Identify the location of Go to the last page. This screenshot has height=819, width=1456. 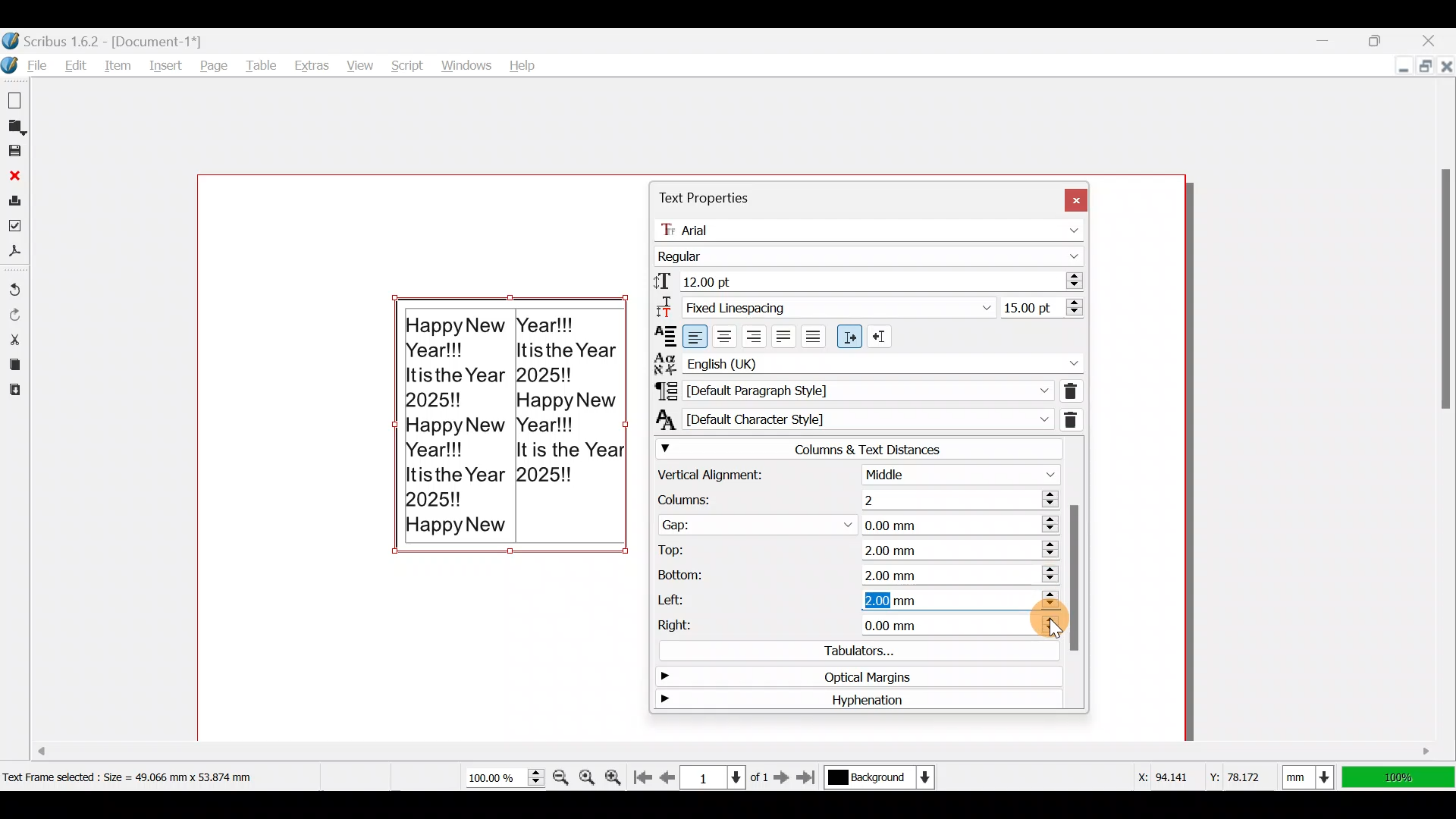
(808, 779).